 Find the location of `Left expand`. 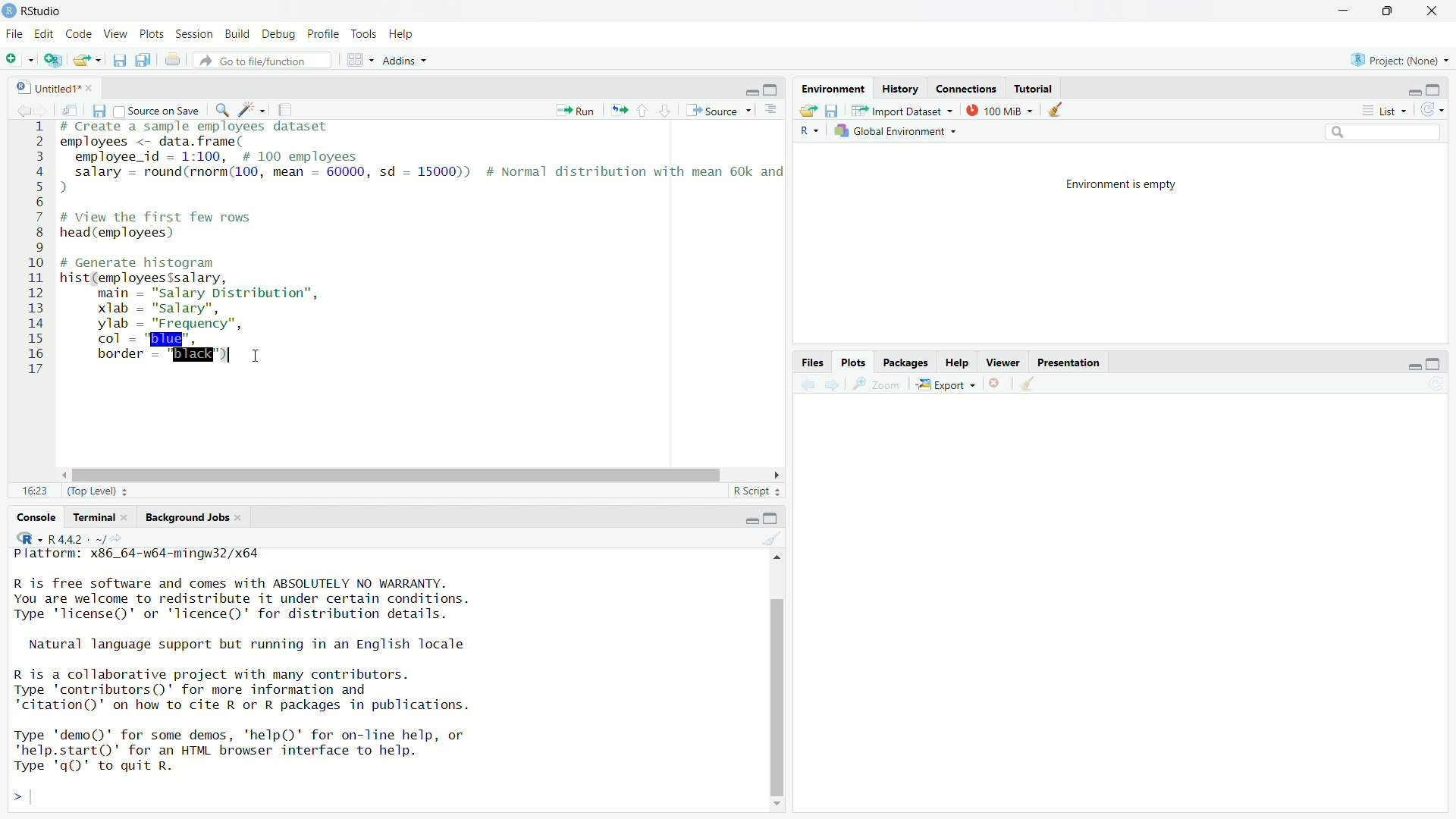

Left expand is located at coordinates (17, 796).